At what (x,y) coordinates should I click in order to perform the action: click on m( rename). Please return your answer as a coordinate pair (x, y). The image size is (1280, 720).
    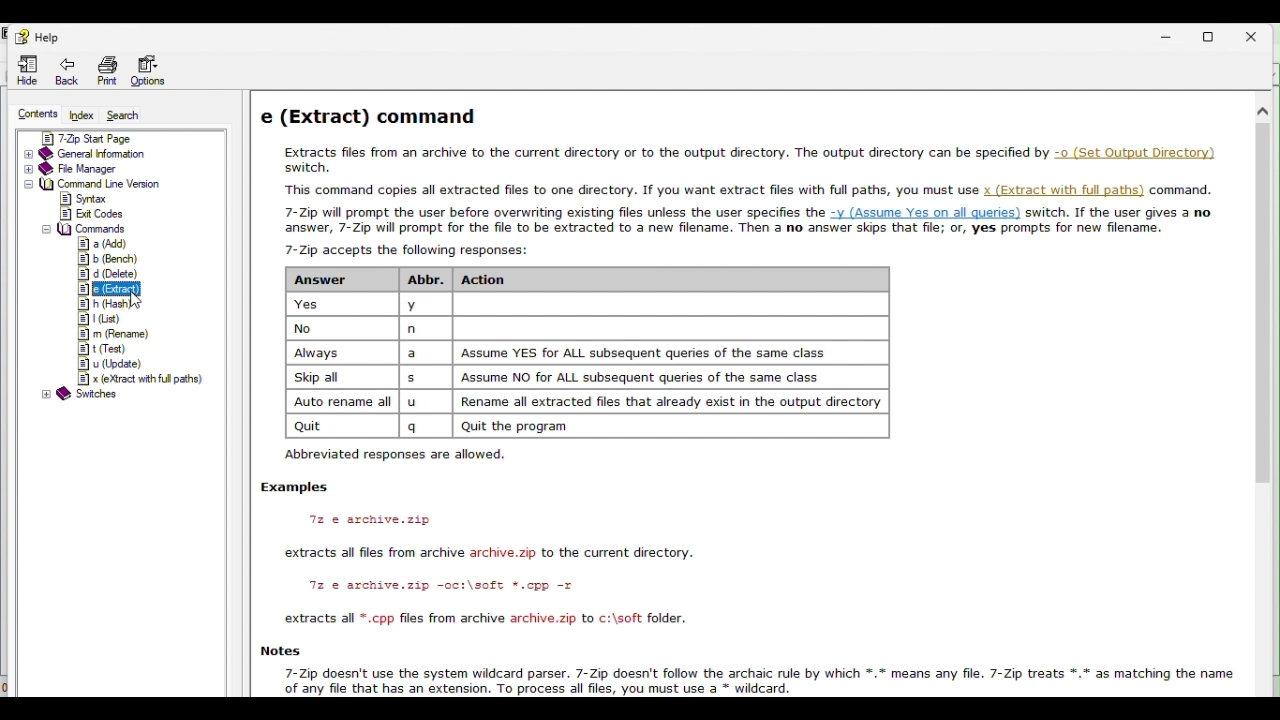
    Looking at the image, I should click on (112, 334).